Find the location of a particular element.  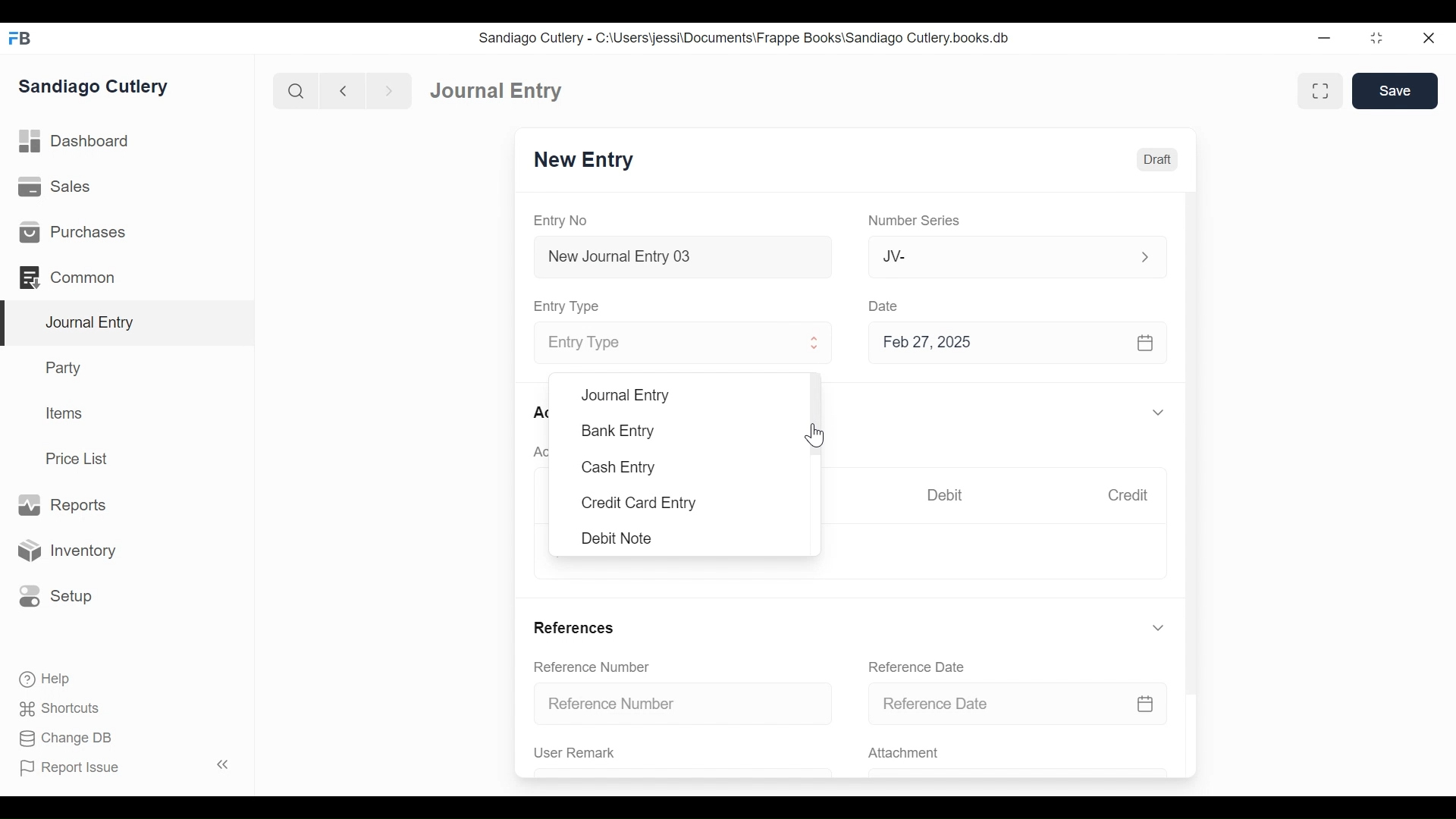

Purchases is located at coordinates (75, 232).